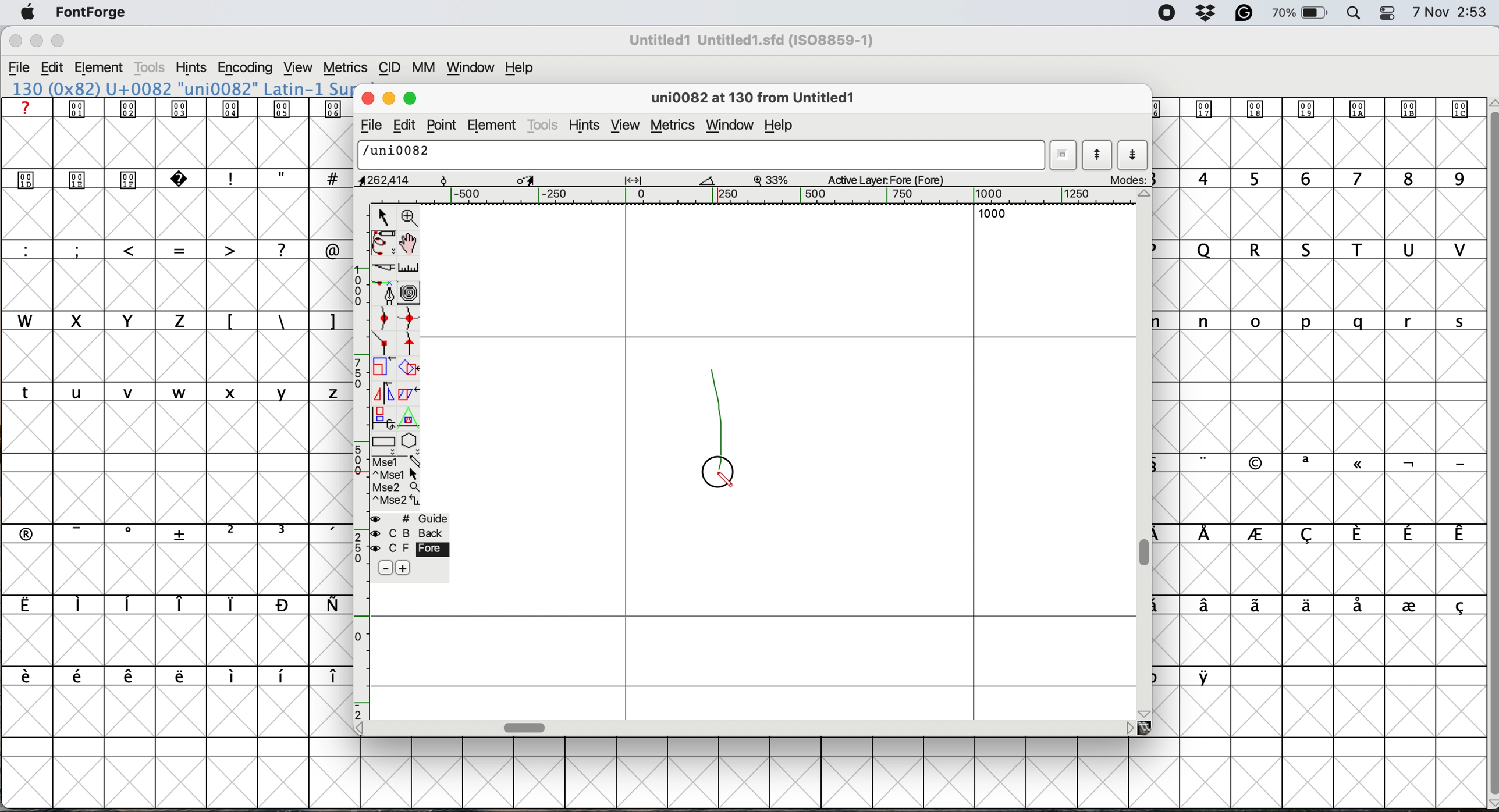 The height and width of the screenshot is (812, 1499). I want to click on lowercase letters, so click(1311, 320).